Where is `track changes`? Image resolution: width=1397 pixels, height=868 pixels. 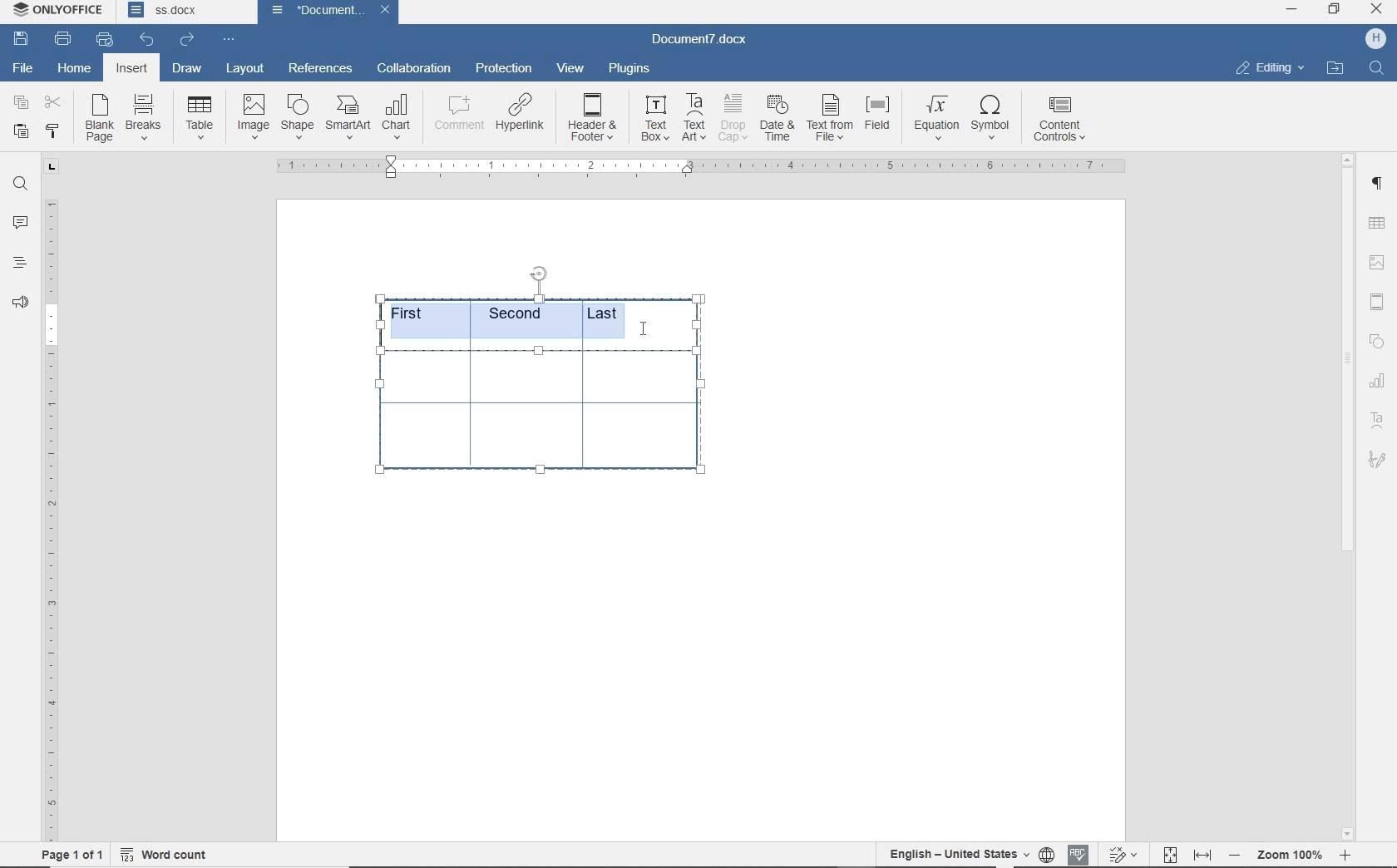
track changes is located at coordinates (1125, 853).